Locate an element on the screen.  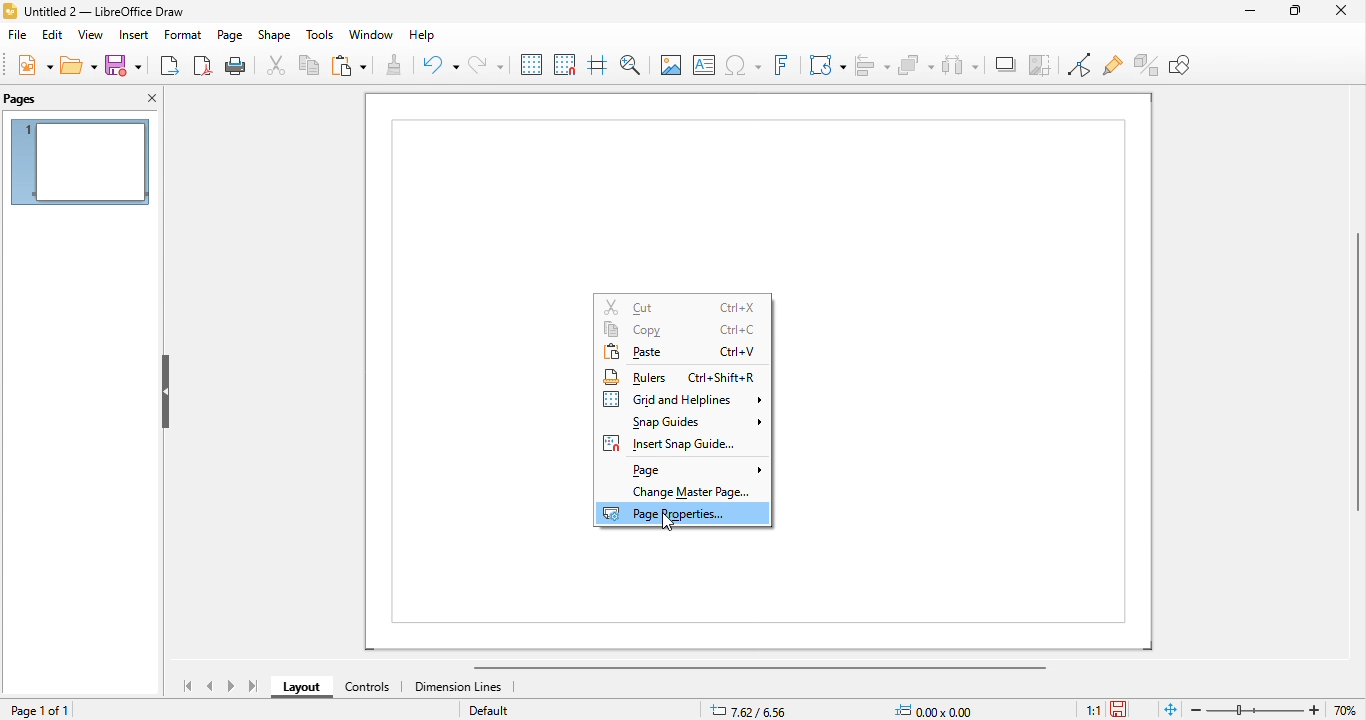
shape is located at coordinates (275, 36).